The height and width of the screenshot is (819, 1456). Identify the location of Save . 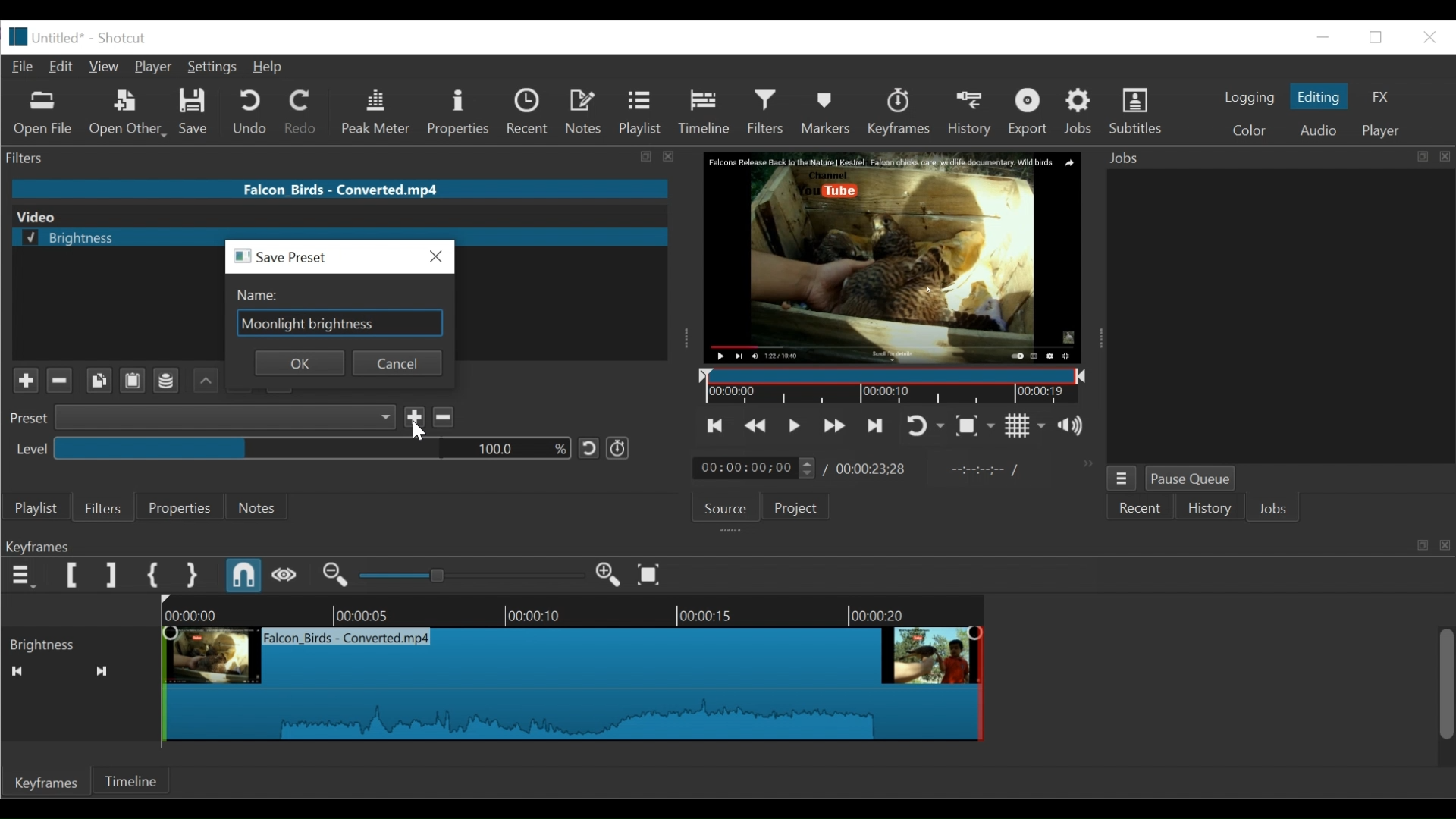
(416, 419).